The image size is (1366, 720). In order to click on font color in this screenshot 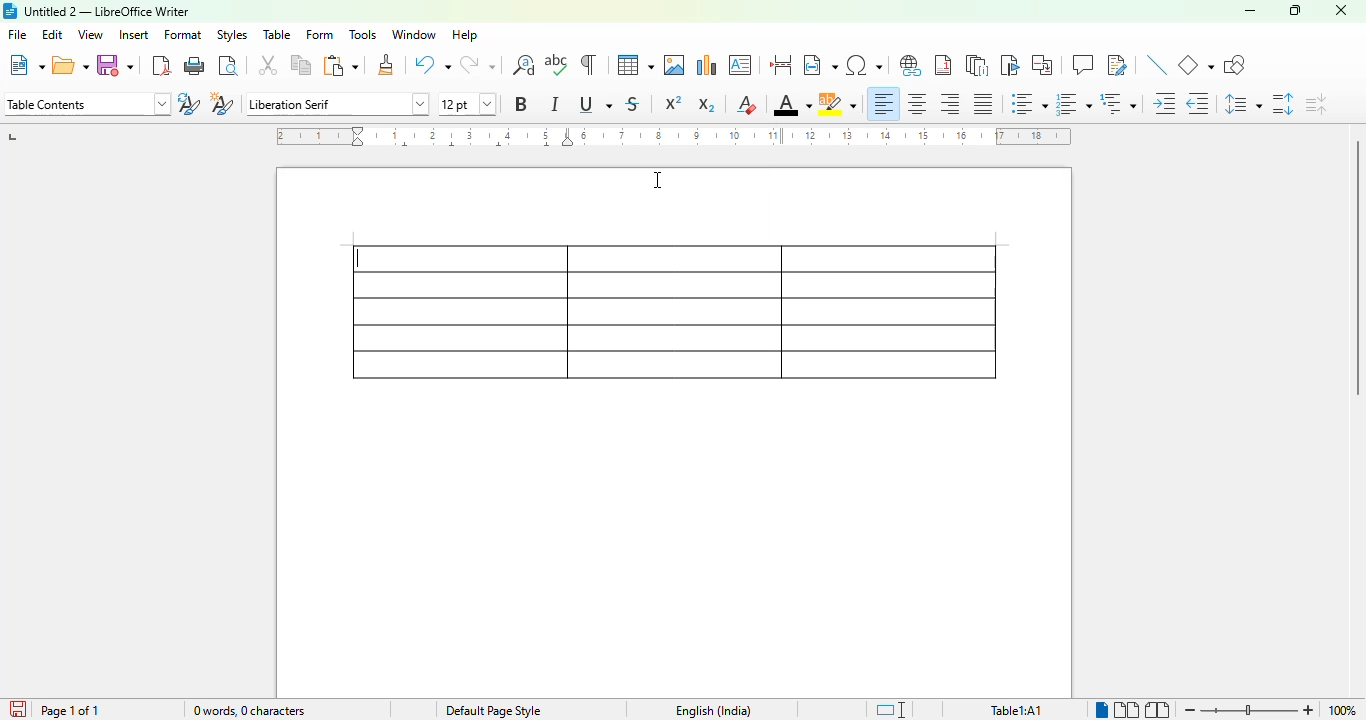, I will do `click(792, 104)`.